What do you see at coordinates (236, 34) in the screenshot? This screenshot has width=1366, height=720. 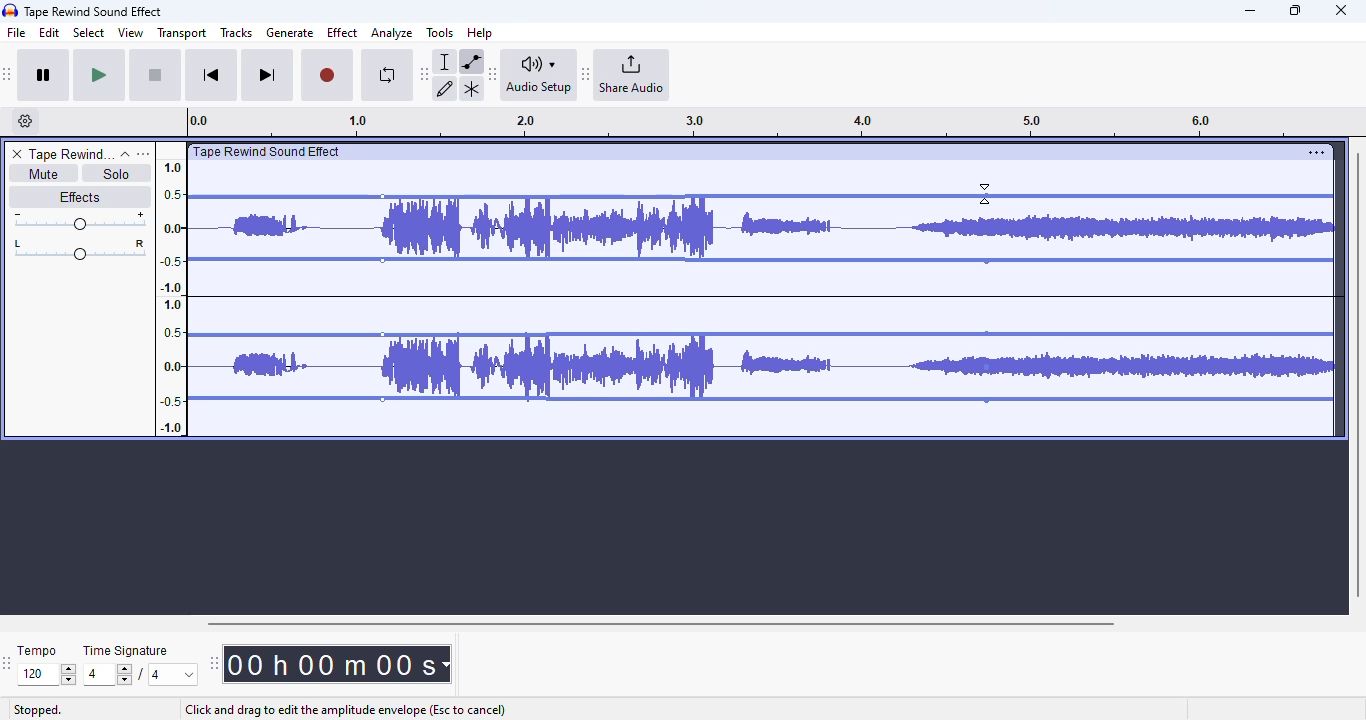 I see `tracks` at bounding box center [236, 34].